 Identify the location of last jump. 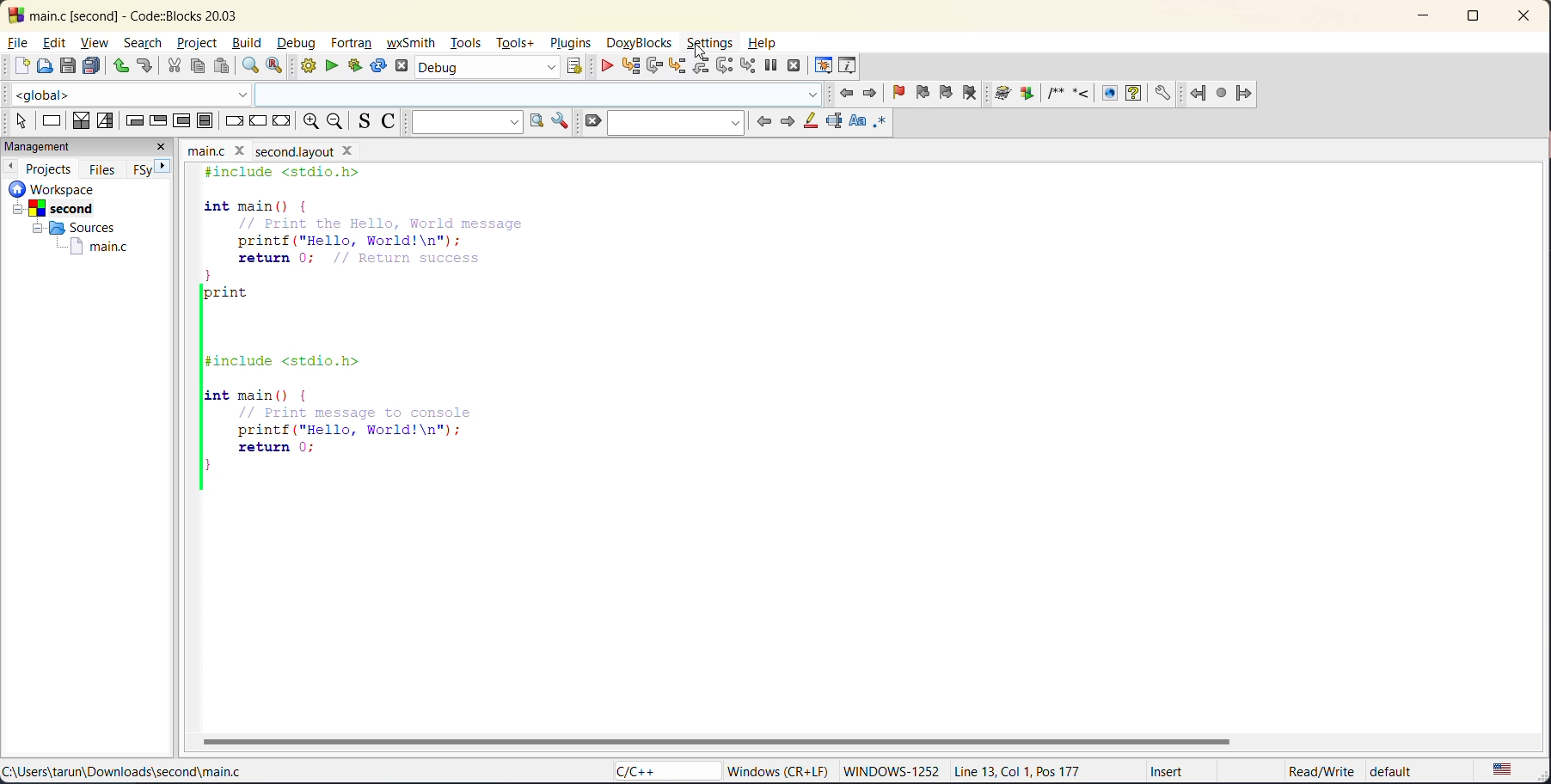
(1223, 93).